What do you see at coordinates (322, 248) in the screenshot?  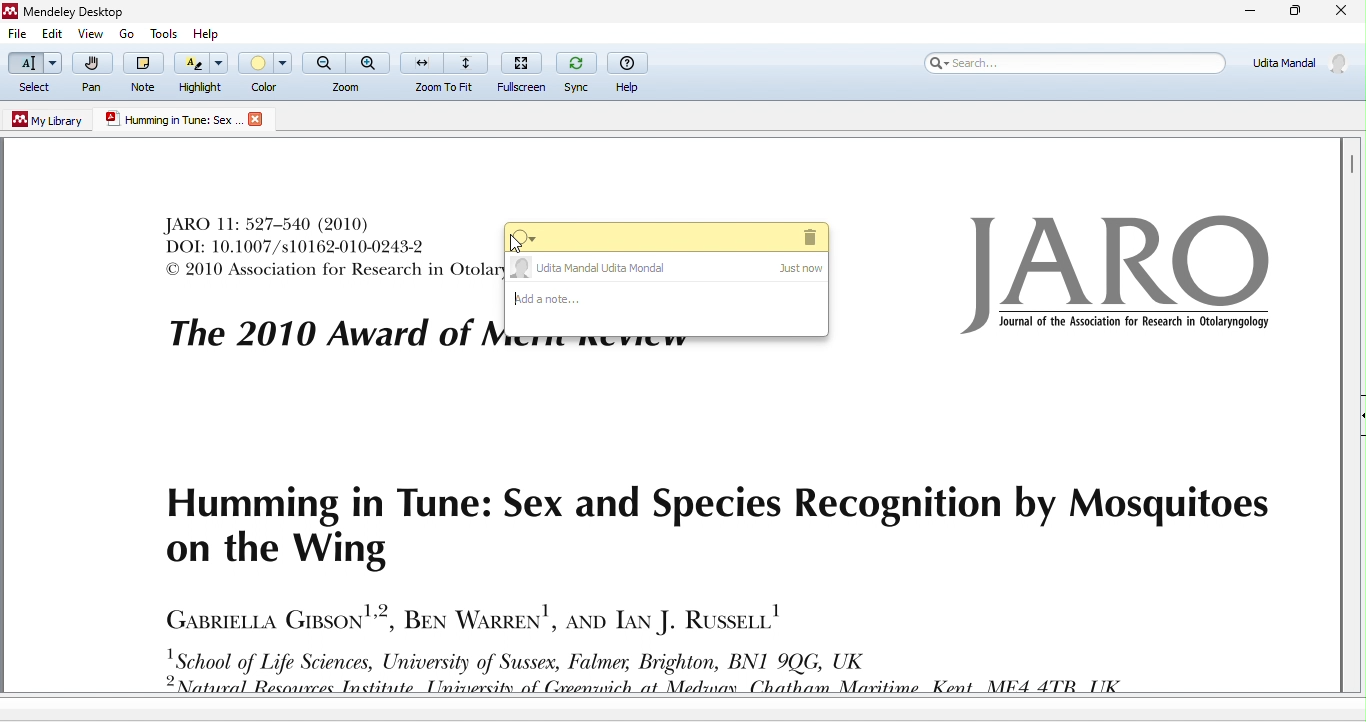 I see `Journal text` at bounding box center [322, 248].